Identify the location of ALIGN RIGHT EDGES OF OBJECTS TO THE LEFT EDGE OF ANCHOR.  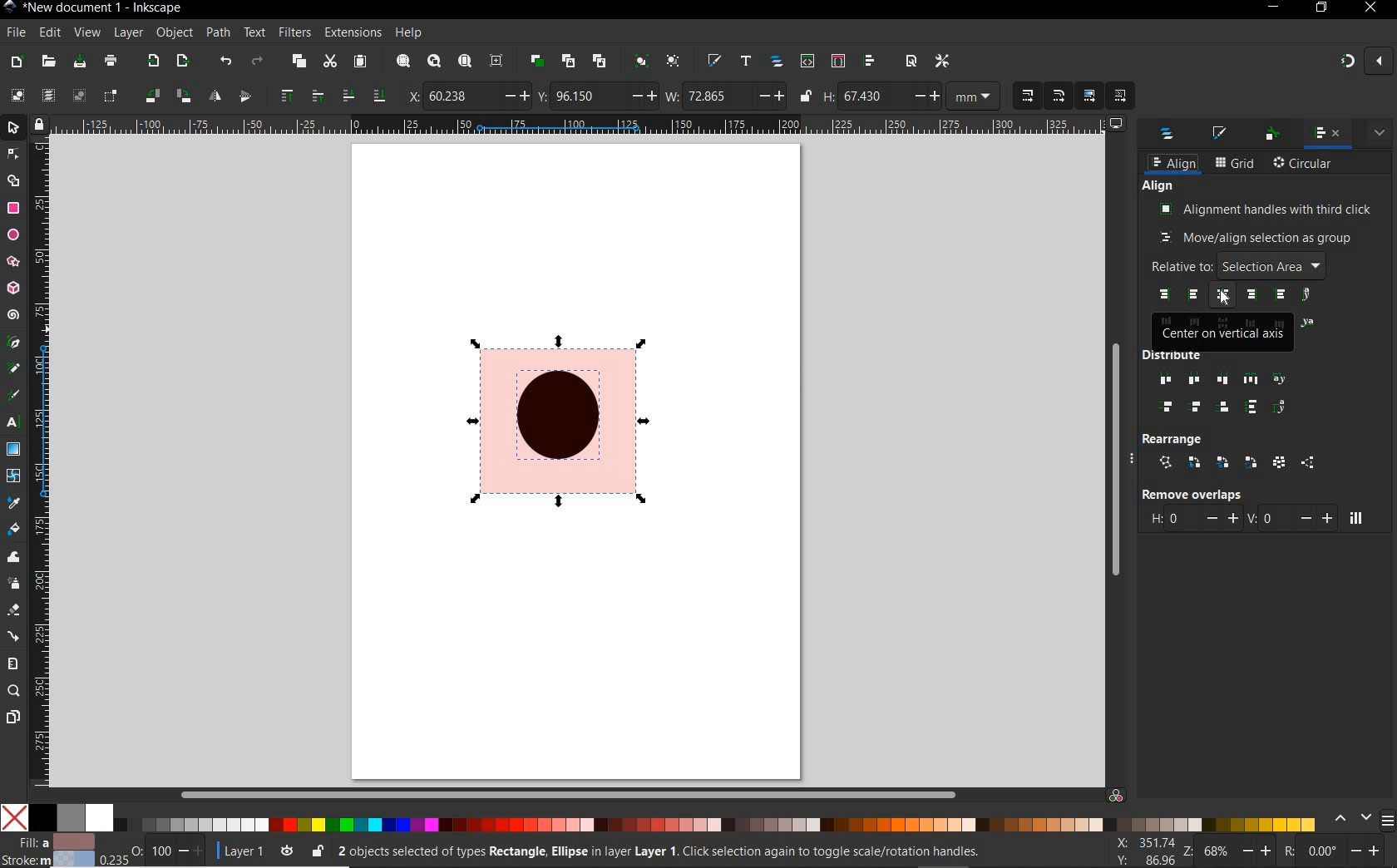
(1163, 294).